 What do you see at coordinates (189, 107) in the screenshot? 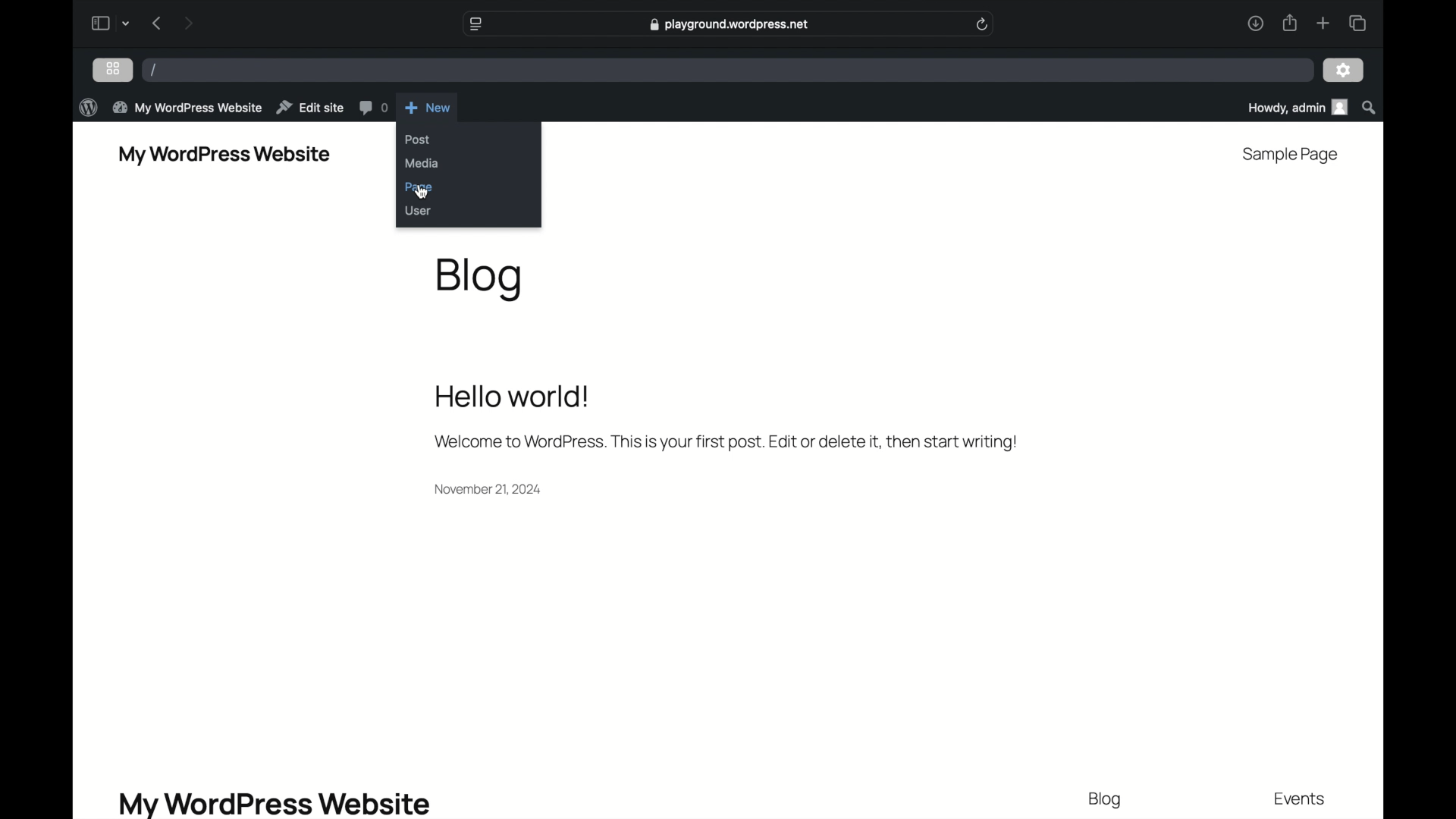
I see `my wordpress website` at bounding box center [189, 107].